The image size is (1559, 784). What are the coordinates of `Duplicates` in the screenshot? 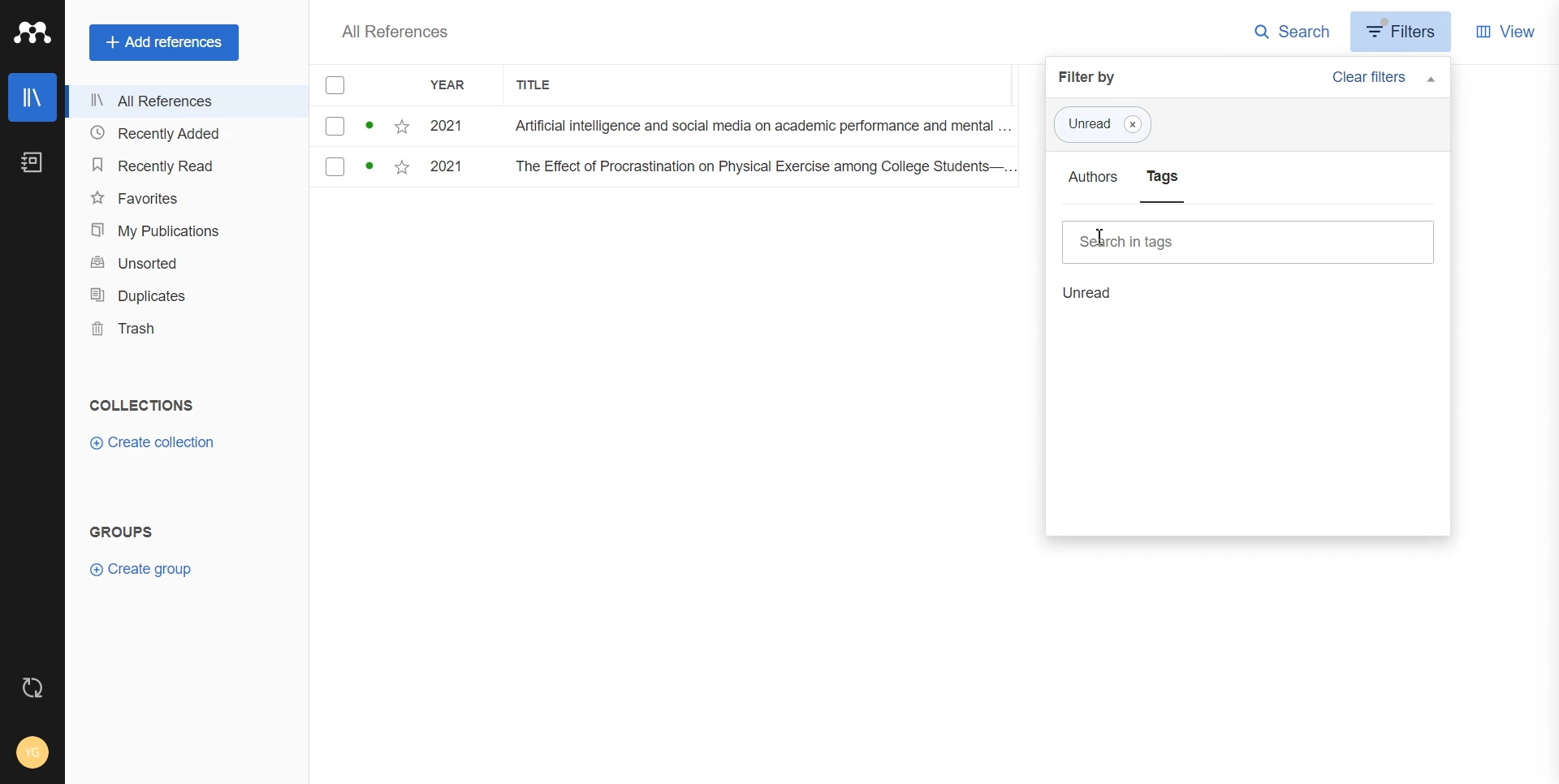 It's located at (186, 295).